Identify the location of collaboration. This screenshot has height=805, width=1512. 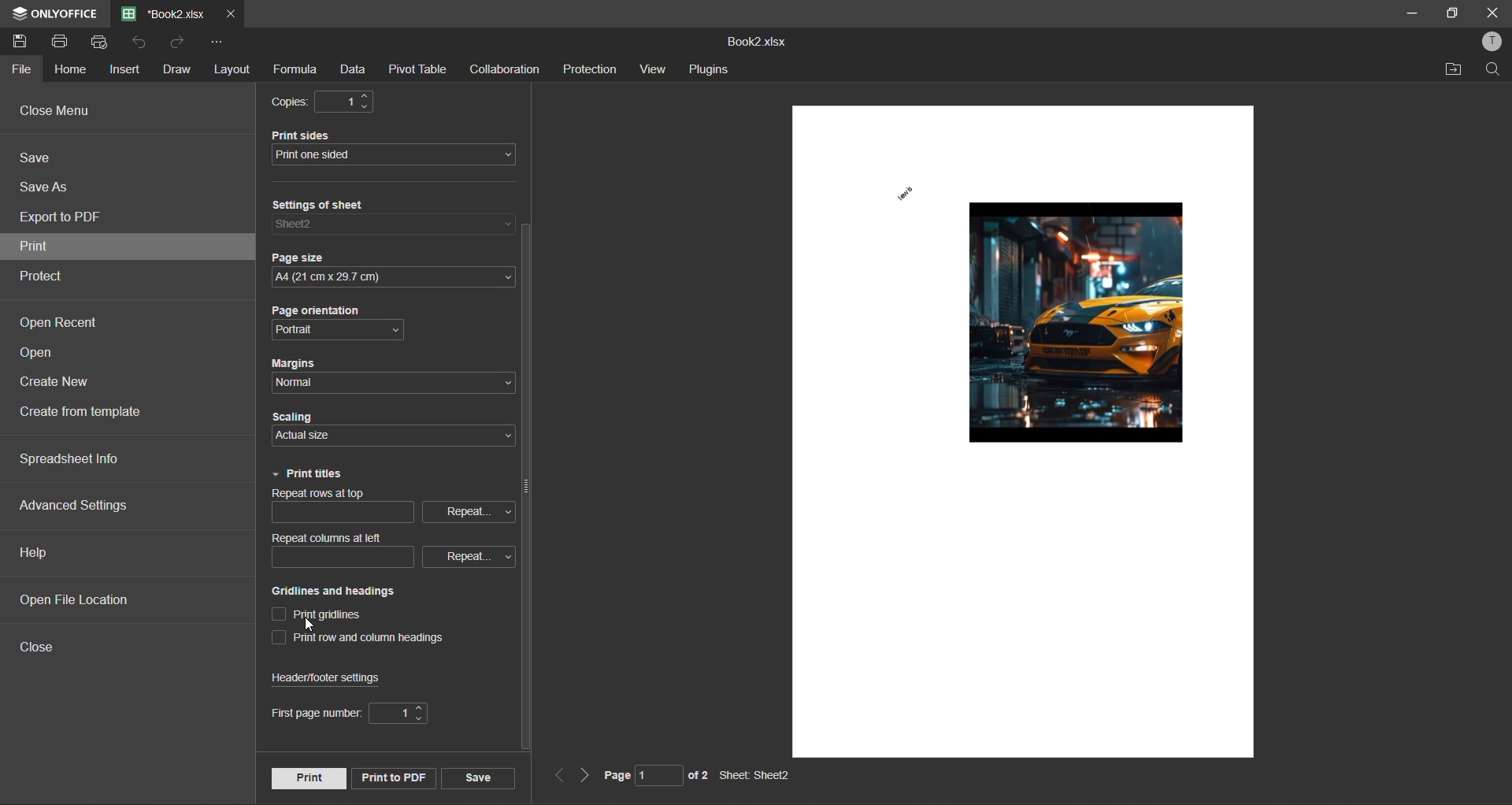
(505, 69).